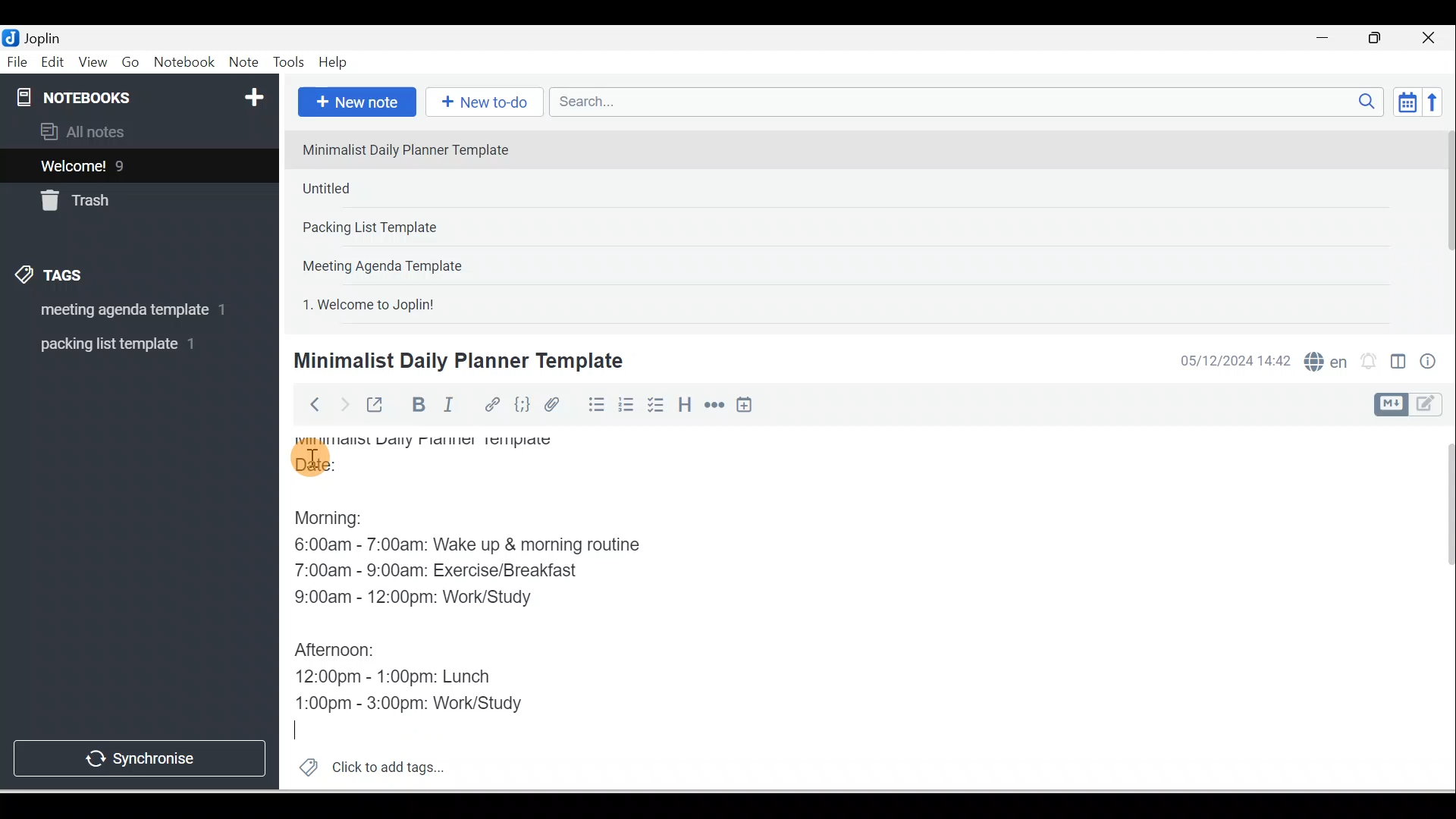 Image resolution: width=1456 pixels, height=819 pixels. Describe the element at coordinates (1439, 608) in the screenshot. I see `Scroll bar` at that location.